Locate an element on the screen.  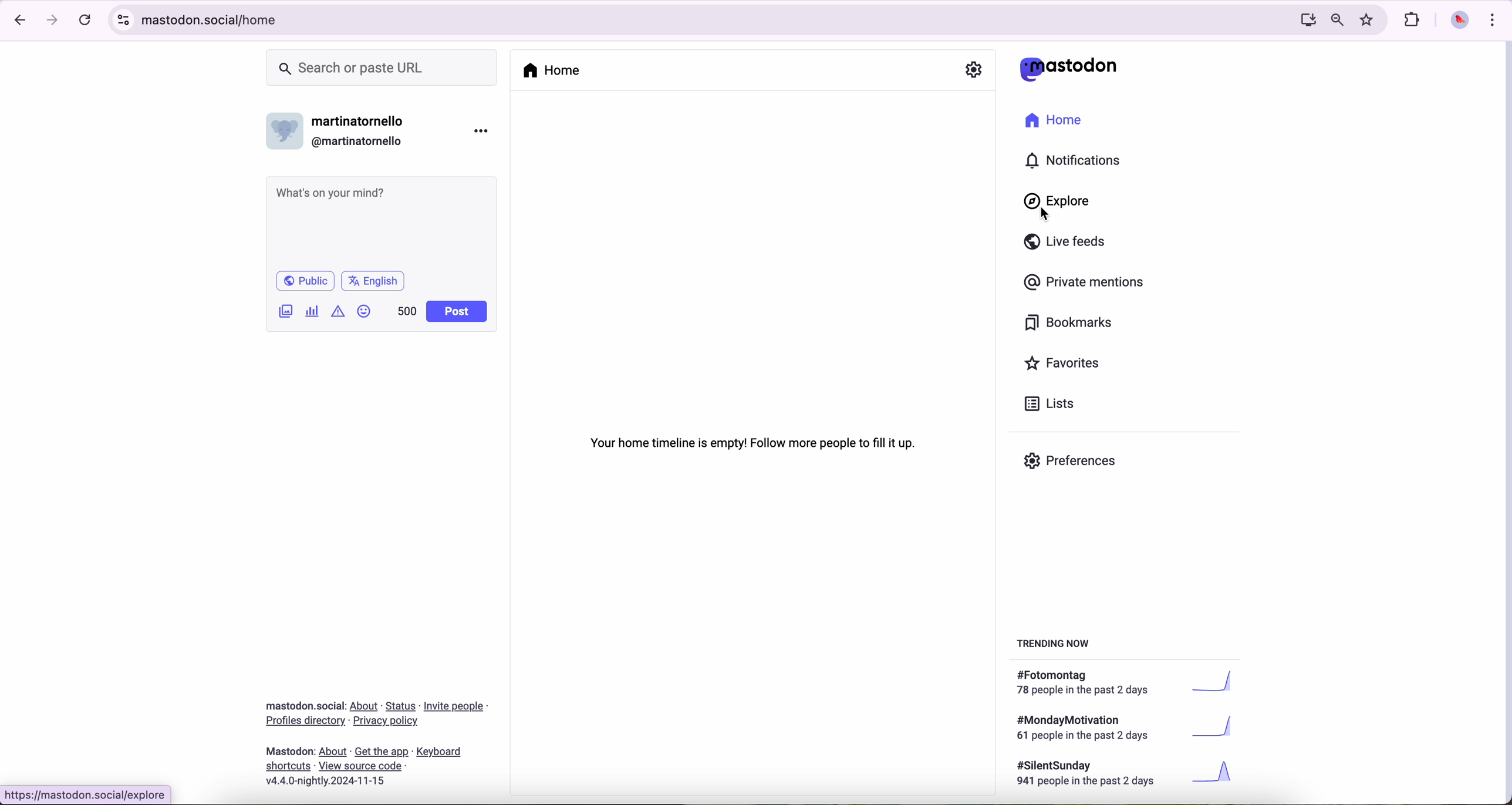
username is located at coordinates (341, 128).